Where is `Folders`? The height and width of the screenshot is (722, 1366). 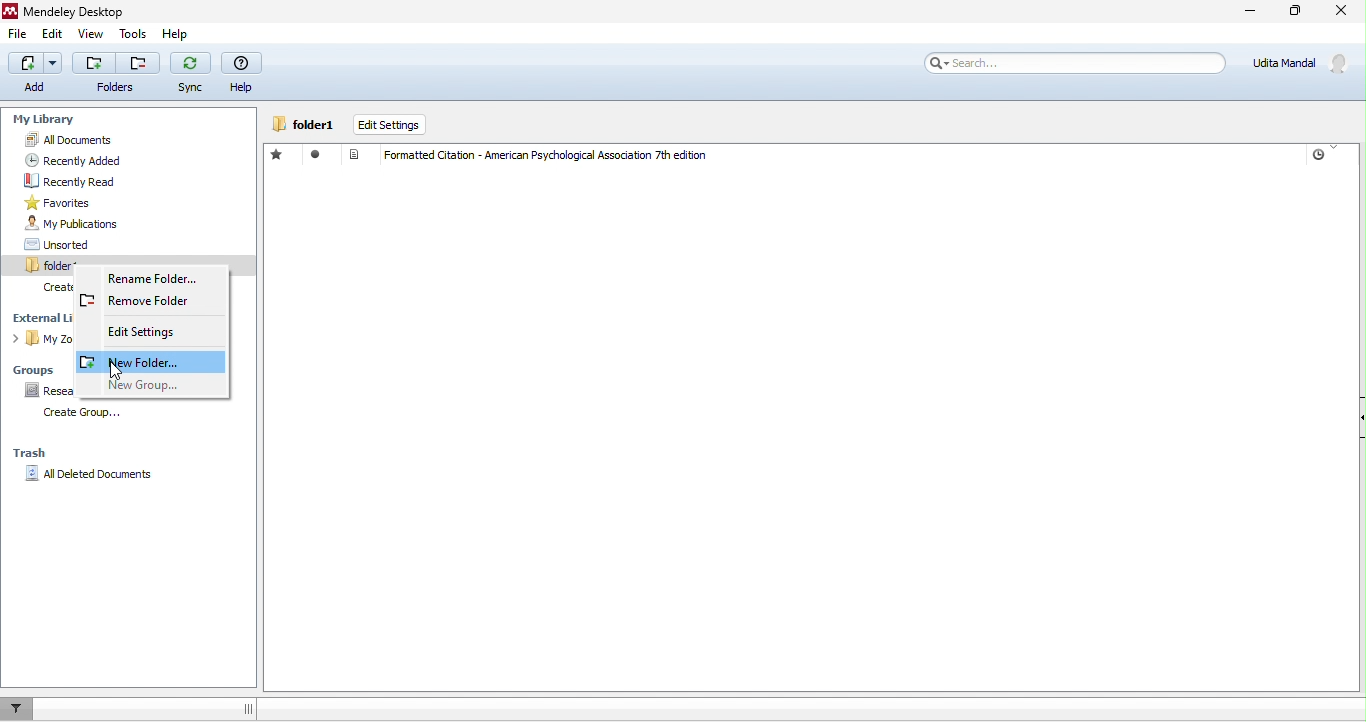 Folders is located at coordinates (114, 88).